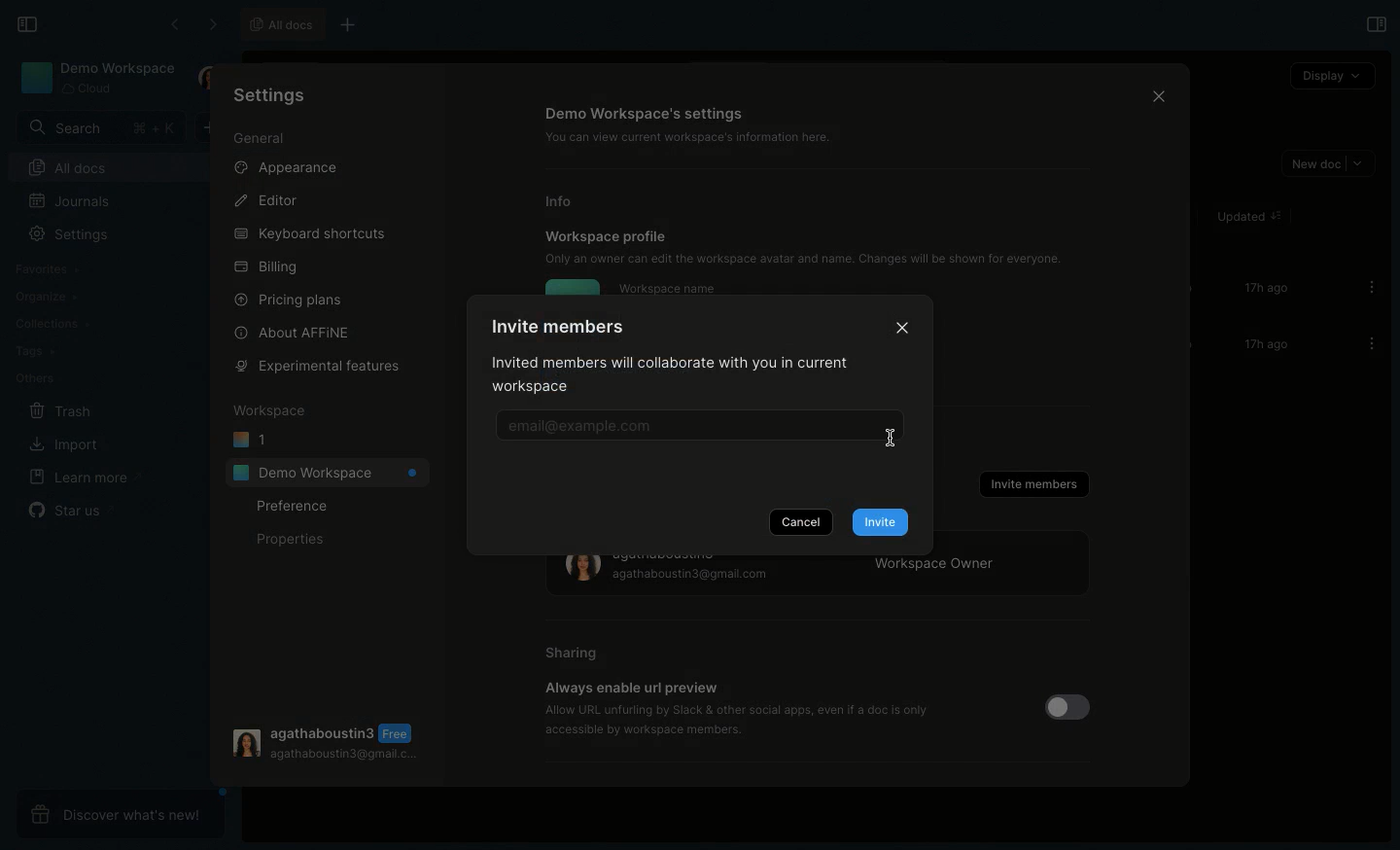  I want to click on Workspace profile, so click(607, 235).